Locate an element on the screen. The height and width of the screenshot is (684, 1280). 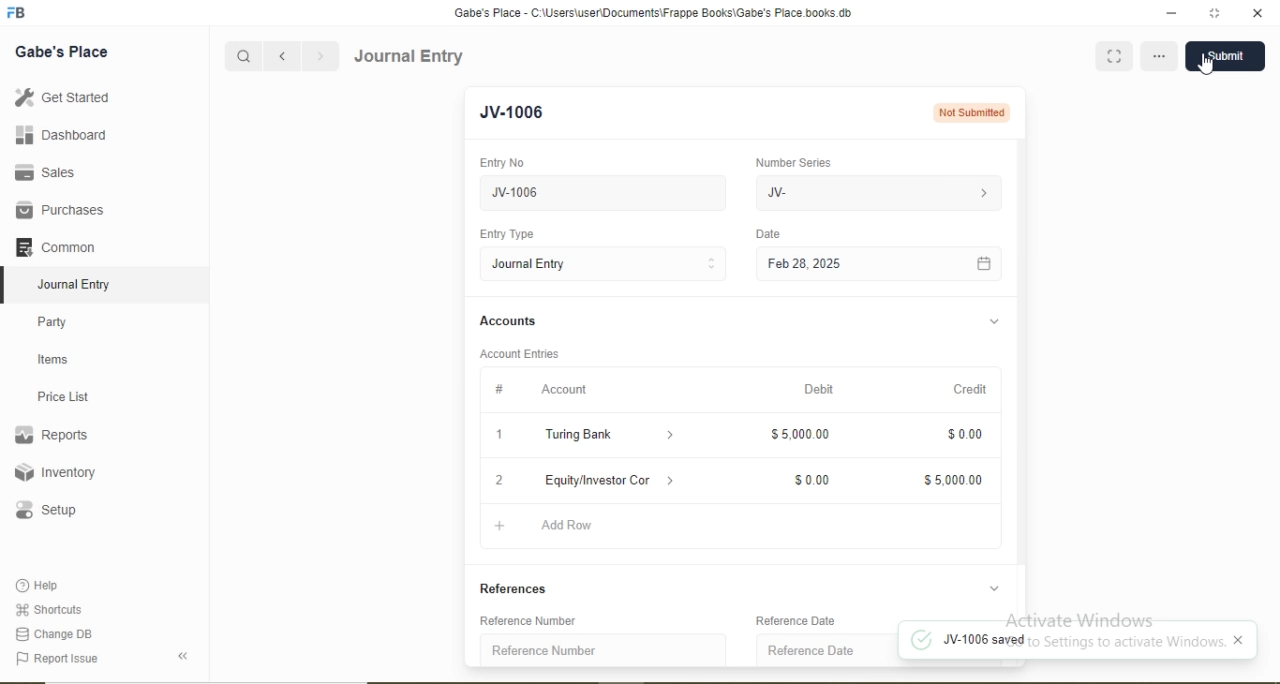
Cursor is located at coordinates (1210, 68).